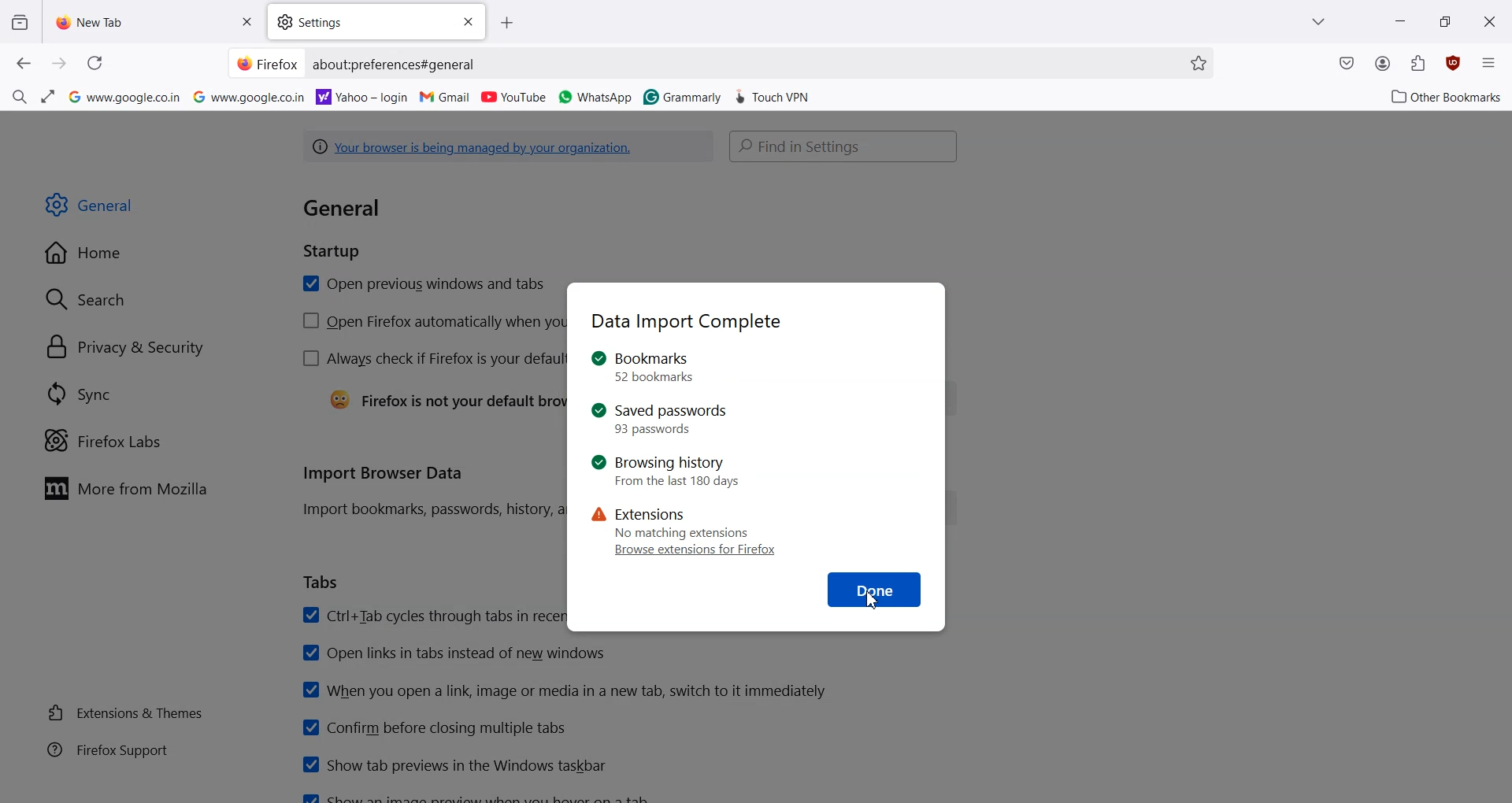 The image size is (1512, 803). Describe the element at coordinates (322, 583) in the screenshot. I see `Tabs` at that location.